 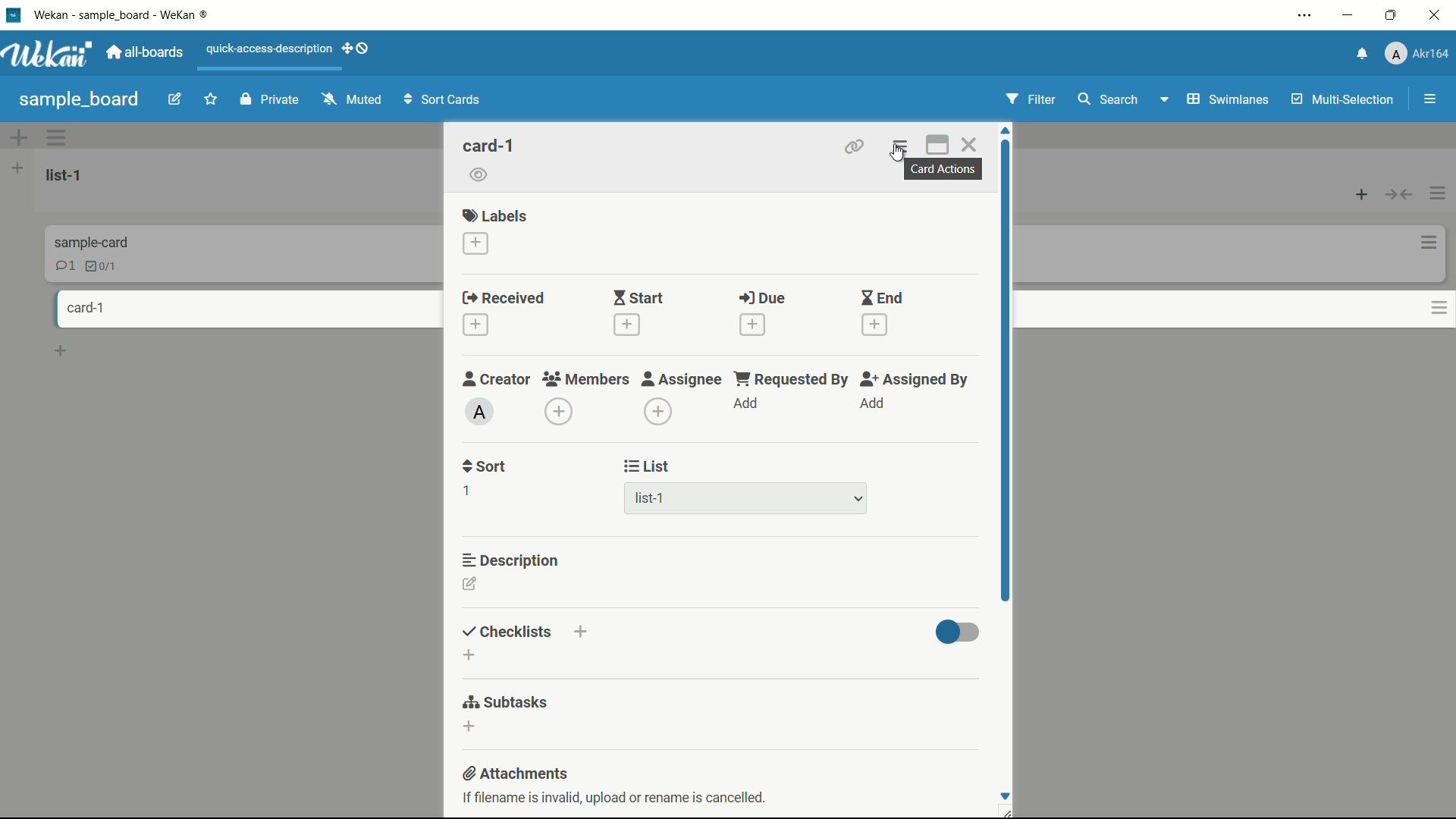 What do you see at coordinates (503, 298) in the screenshot?
I see `received` at bounding box center [503, 298].